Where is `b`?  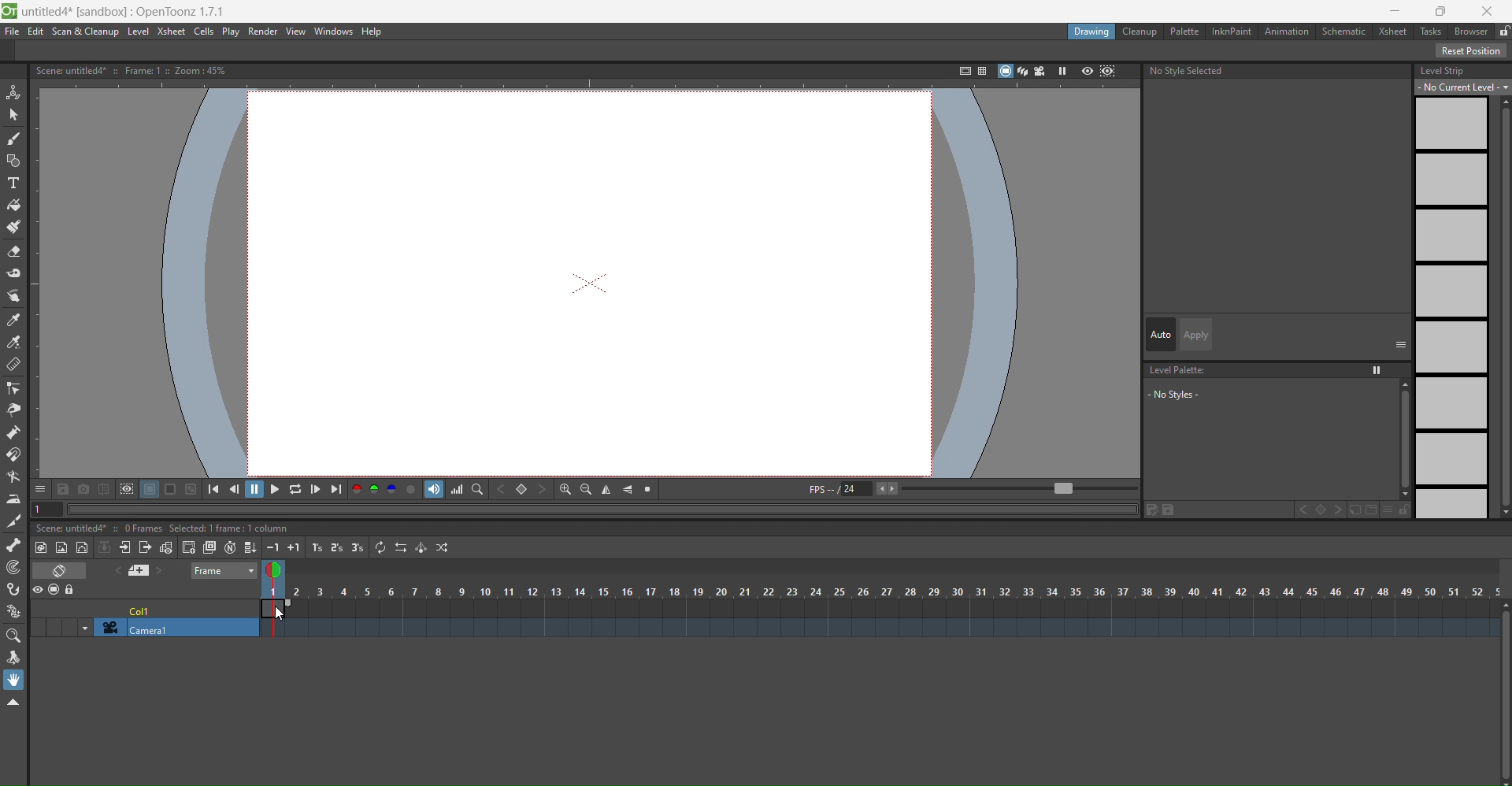
b is located at coordinates (1471, 31).